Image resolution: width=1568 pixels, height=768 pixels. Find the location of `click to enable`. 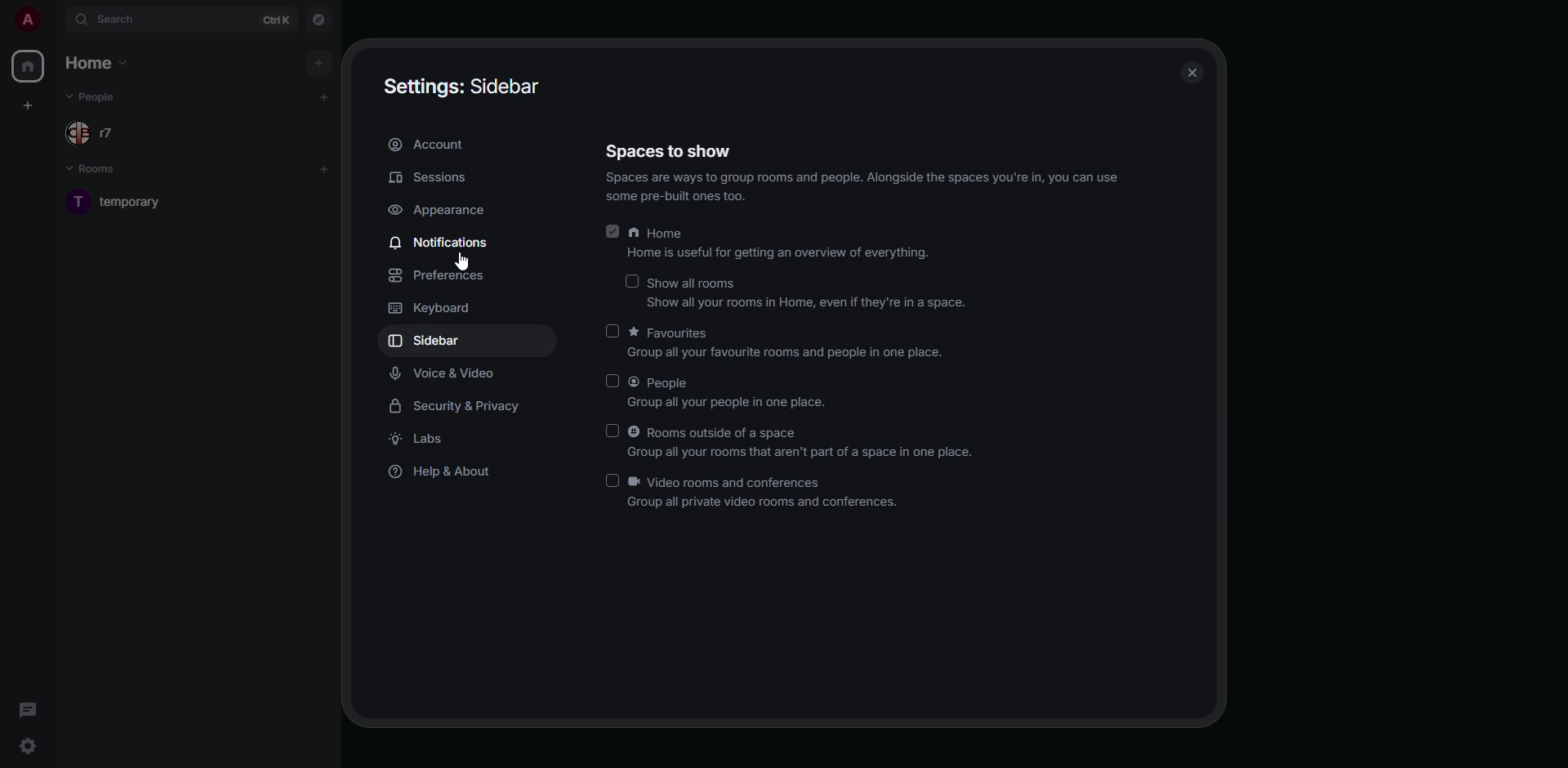

click to enable is located at coordinates (635, 279).